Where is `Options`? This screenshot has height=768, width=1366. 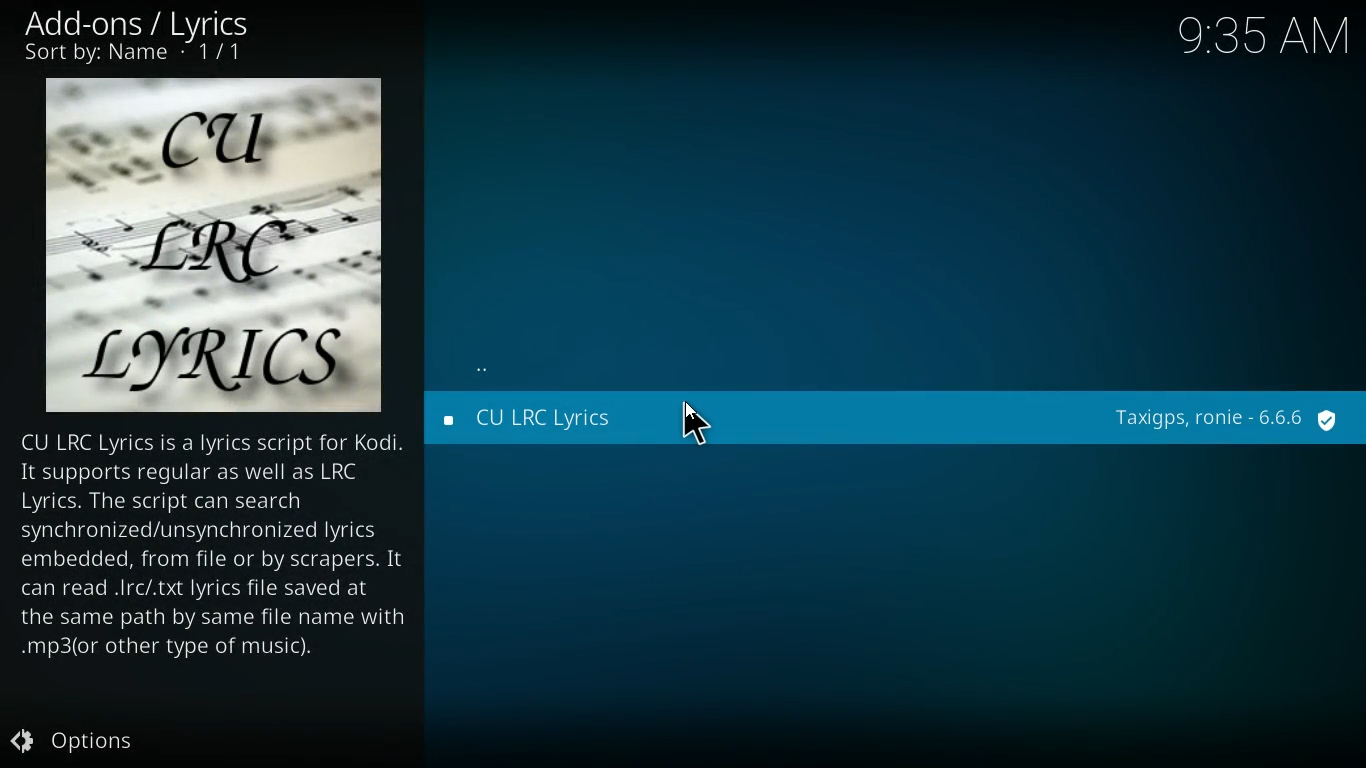
Options is located at coordinates (77, 741).